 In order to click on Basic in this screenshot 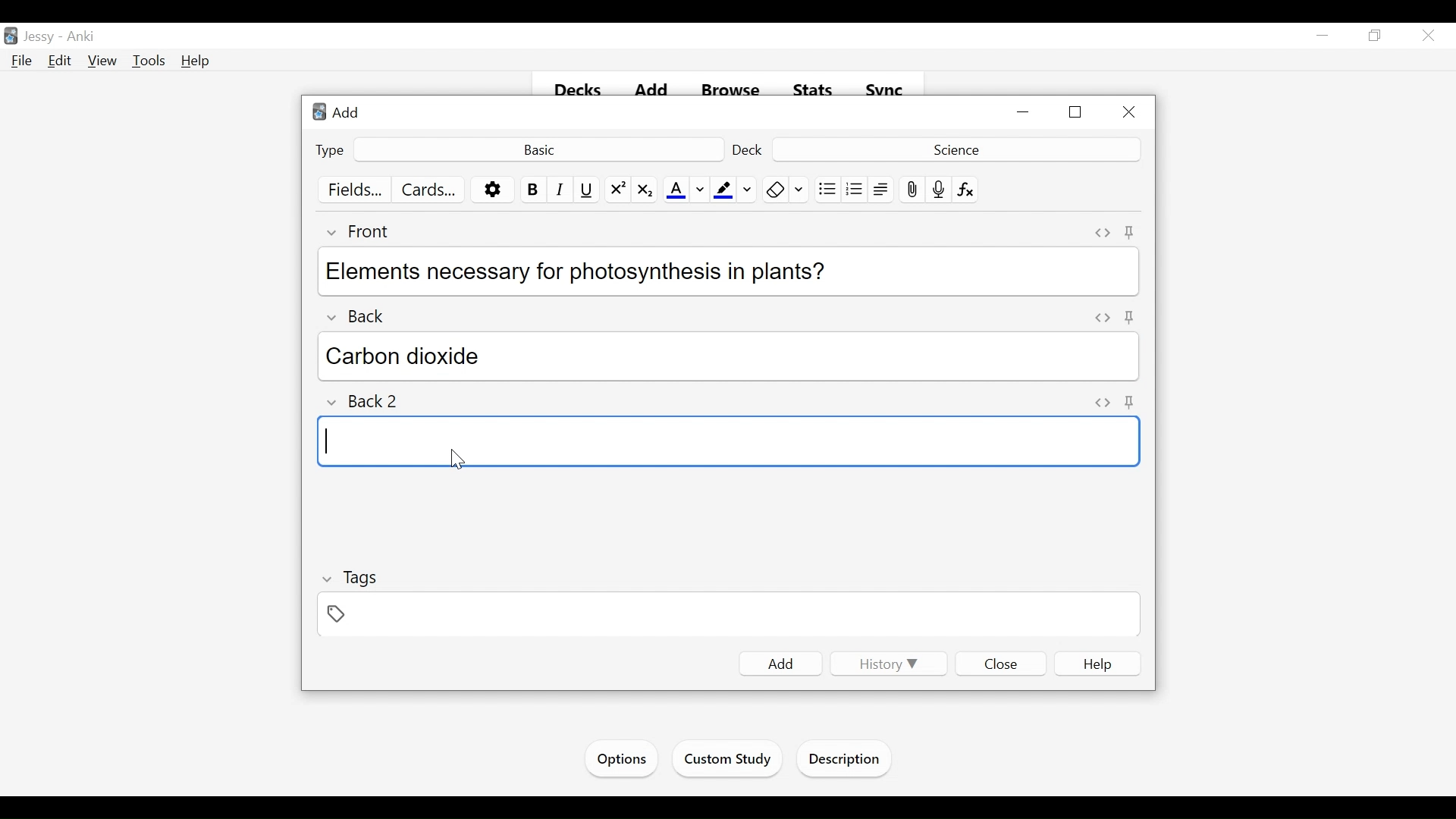, I will do `click(538, 149)`.